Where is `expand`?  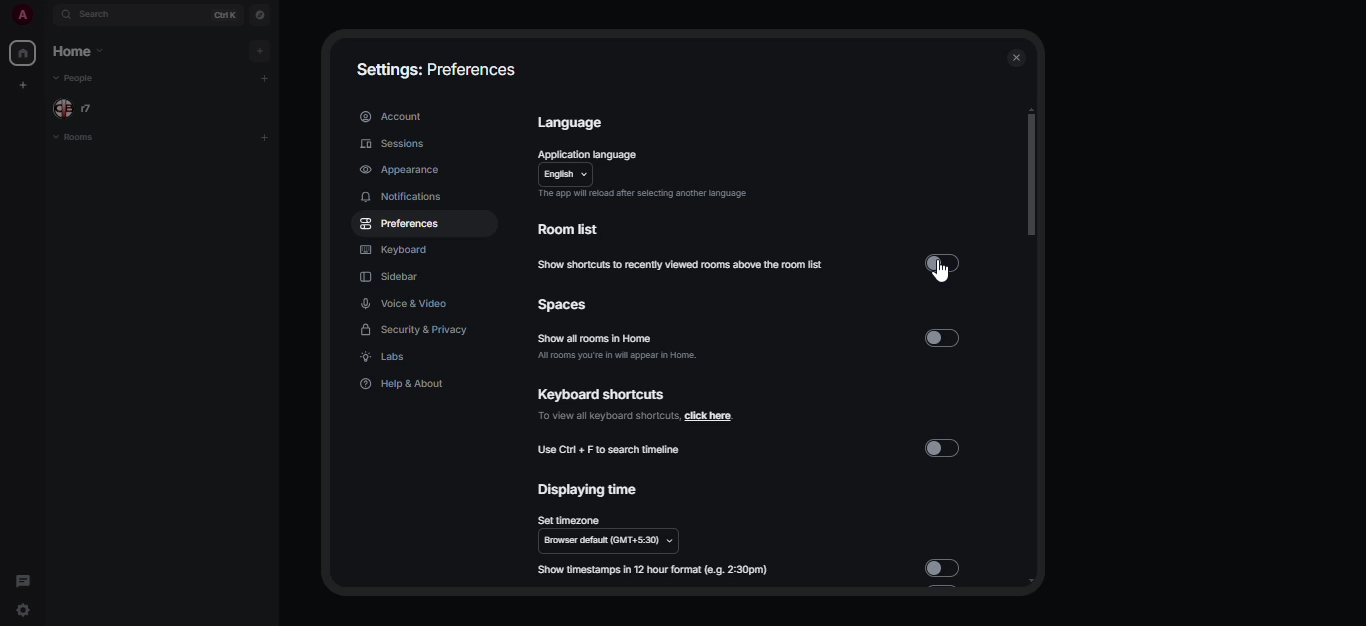
expand is located at coordinates (46, 13).